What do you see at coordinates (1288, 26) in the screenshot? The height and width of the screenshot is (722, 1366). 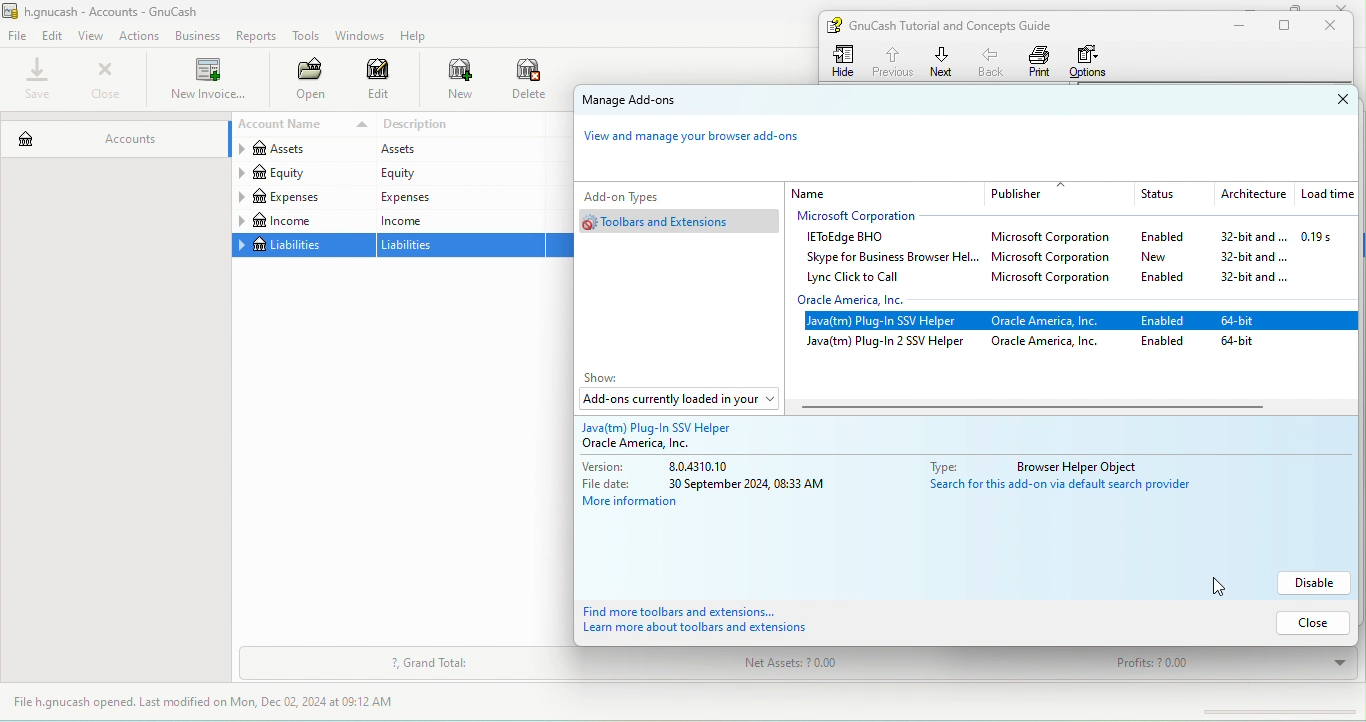 I see `maximize` at bounding box center [1288, 26].